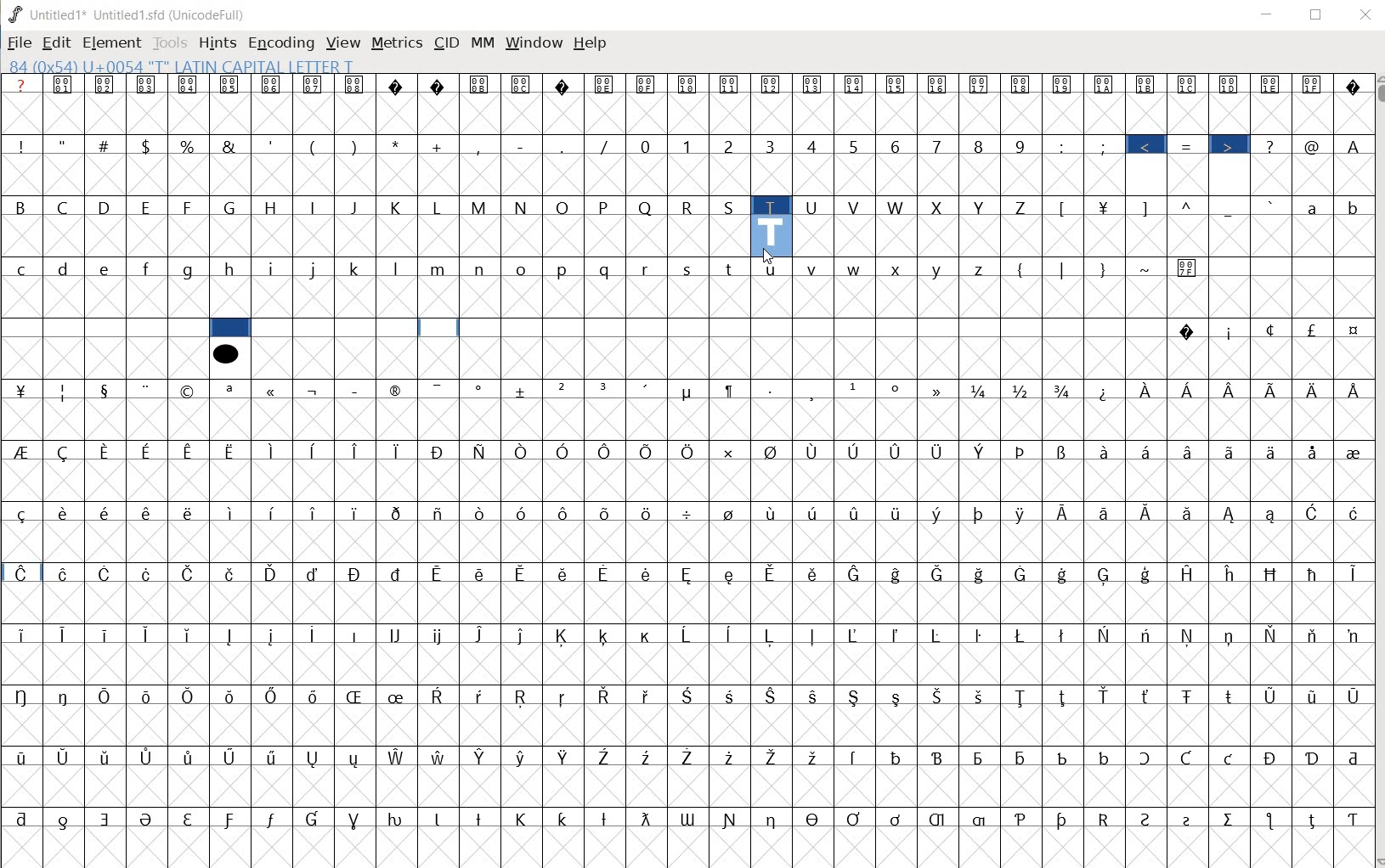 Image resolution: width=1385 pixels, height=868 pixels. What do you see at coordinates (1310, 695) in the screenshot?
I see `Symbol` at bounding box center [1310, 695].